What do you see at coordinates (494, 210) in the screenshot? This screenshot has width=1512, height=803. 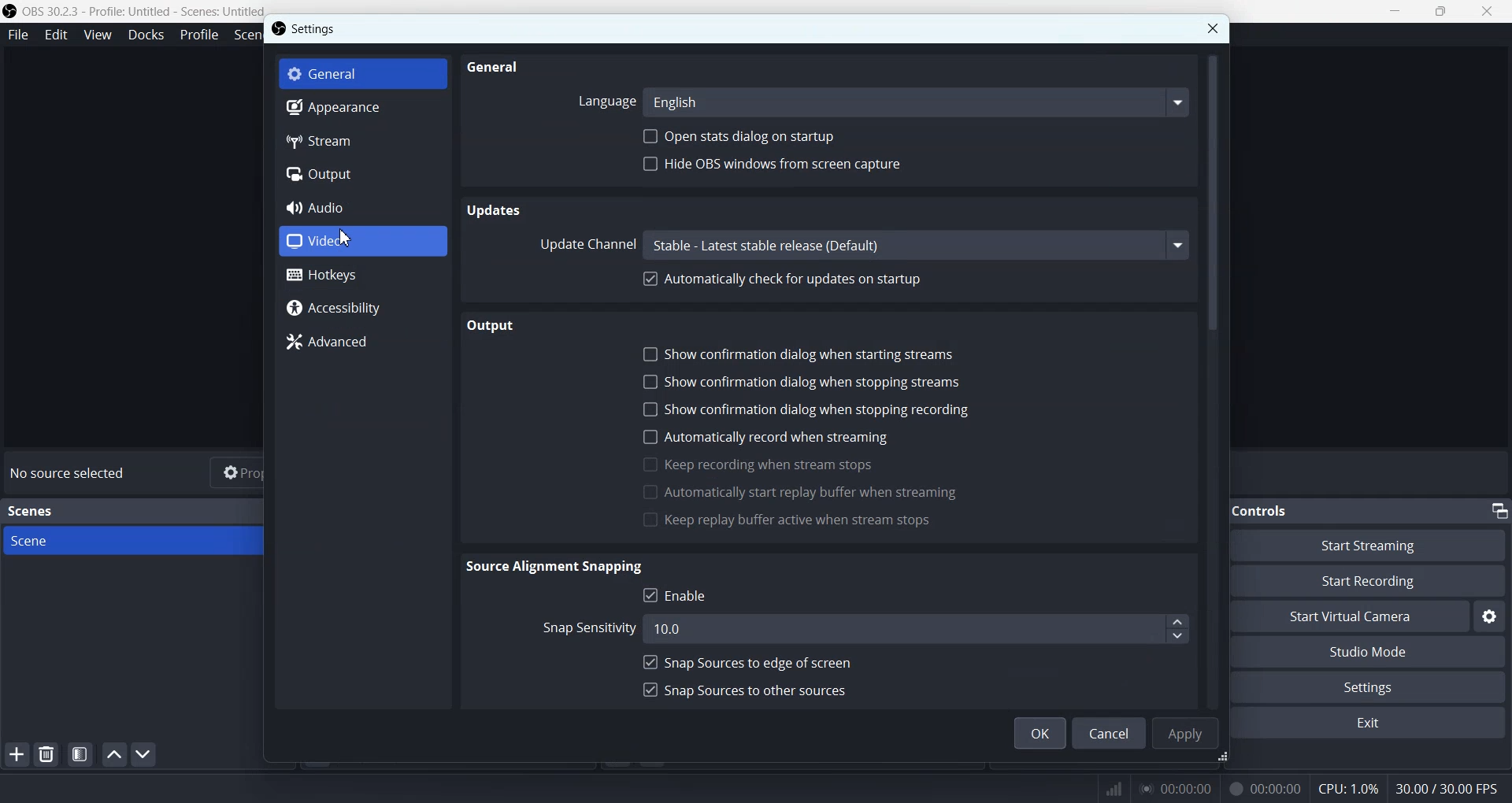 I see `Updates` at bounding box center [494, 210].